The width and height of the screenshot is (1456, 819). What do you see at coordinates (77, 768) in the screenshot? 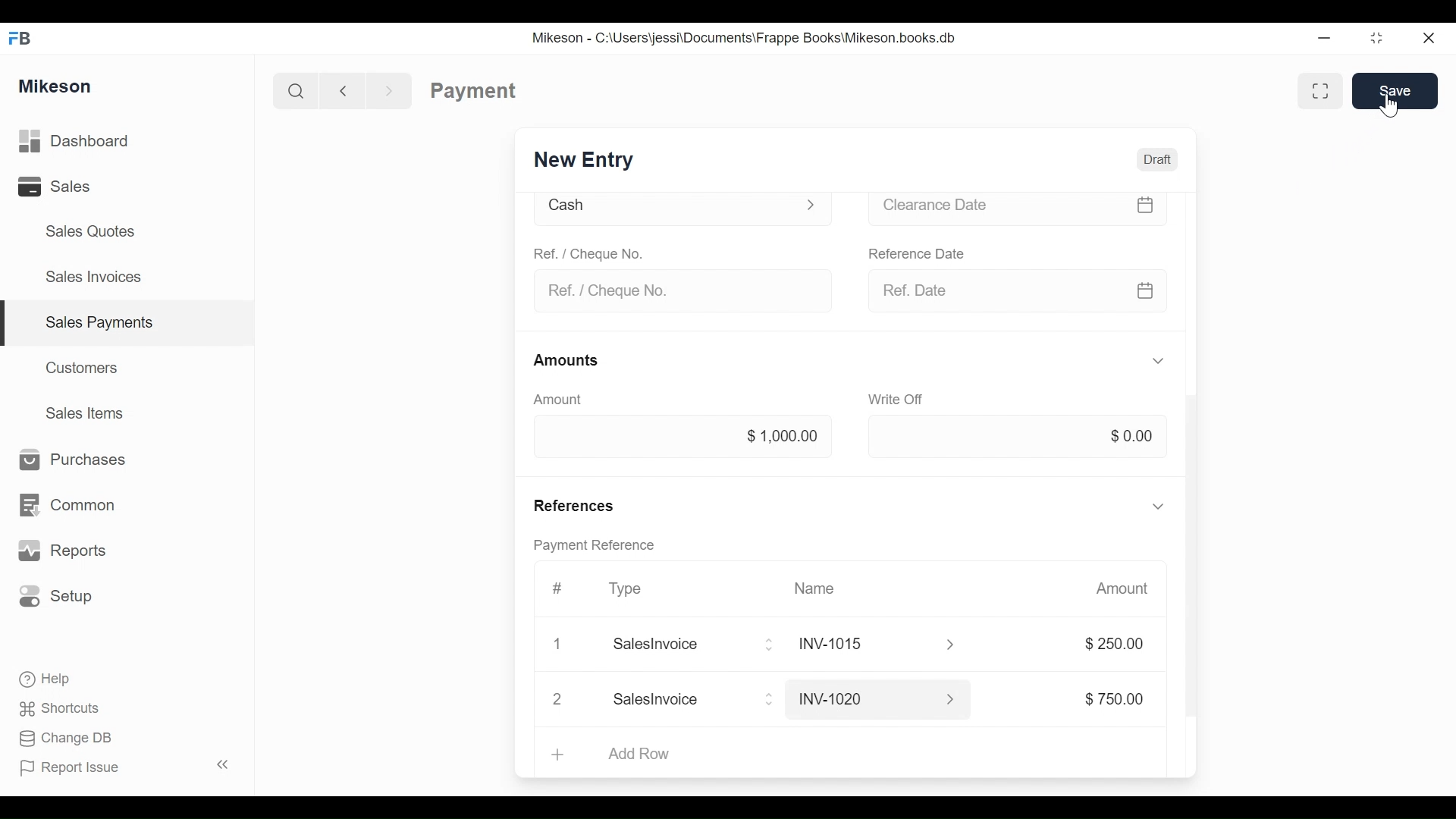
I see `Report Issue` at bounding box center [77, 768].